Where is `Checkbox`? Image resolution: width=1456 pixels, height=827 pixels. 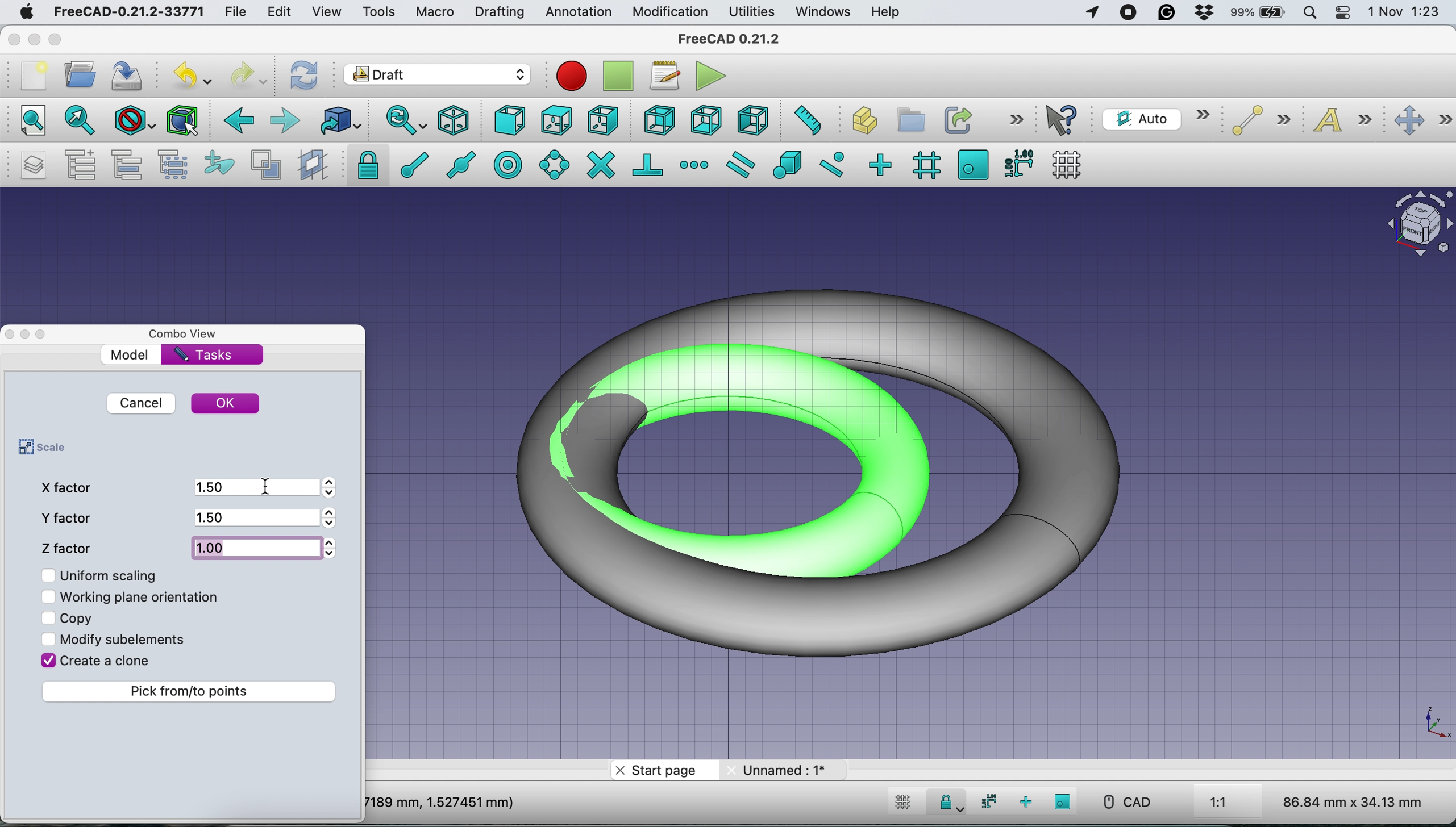
Checkbox is located at coordinates (49, 617).